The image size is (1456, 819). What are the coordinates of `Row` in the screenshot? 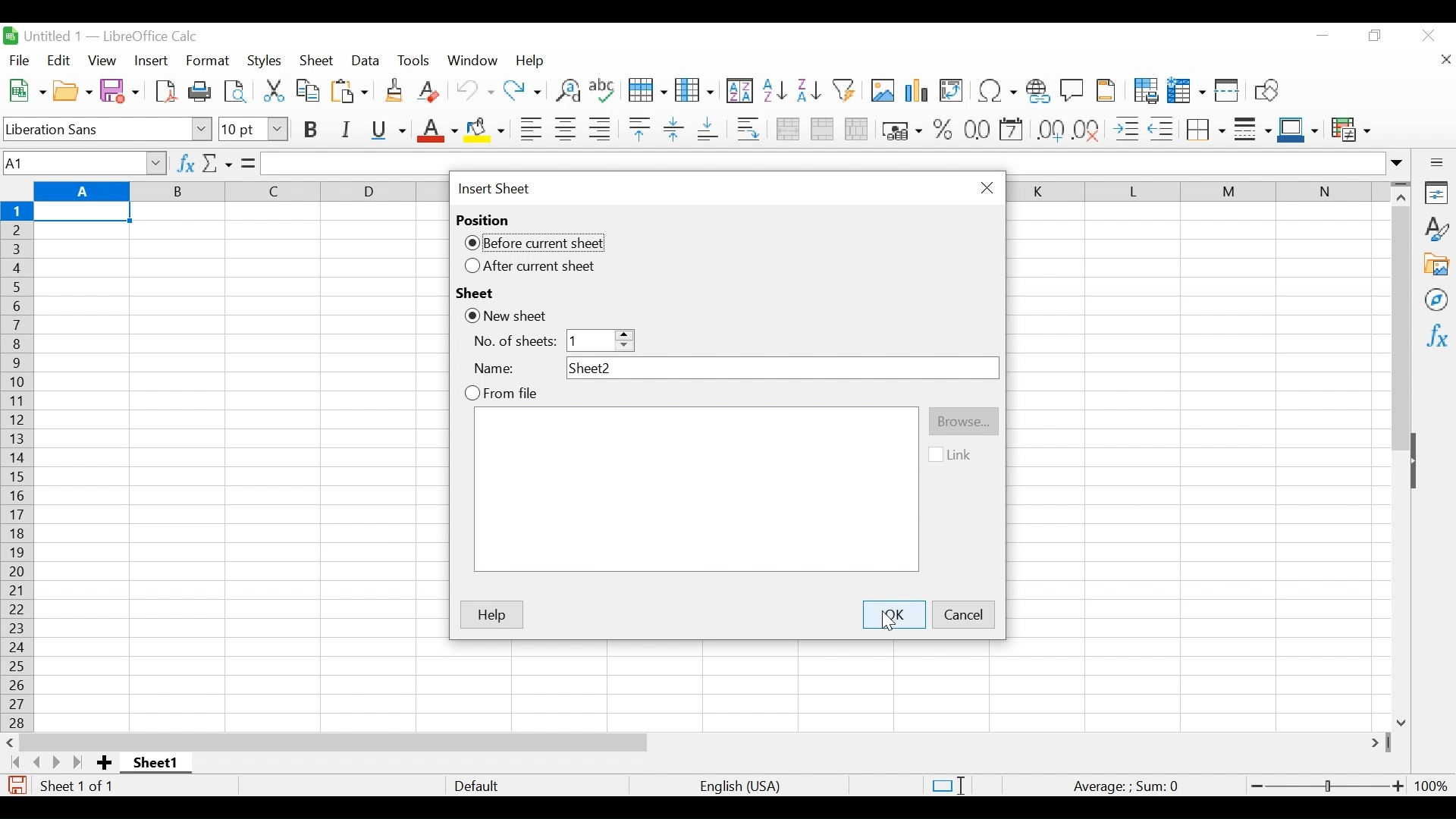 It's located at (645, 91).